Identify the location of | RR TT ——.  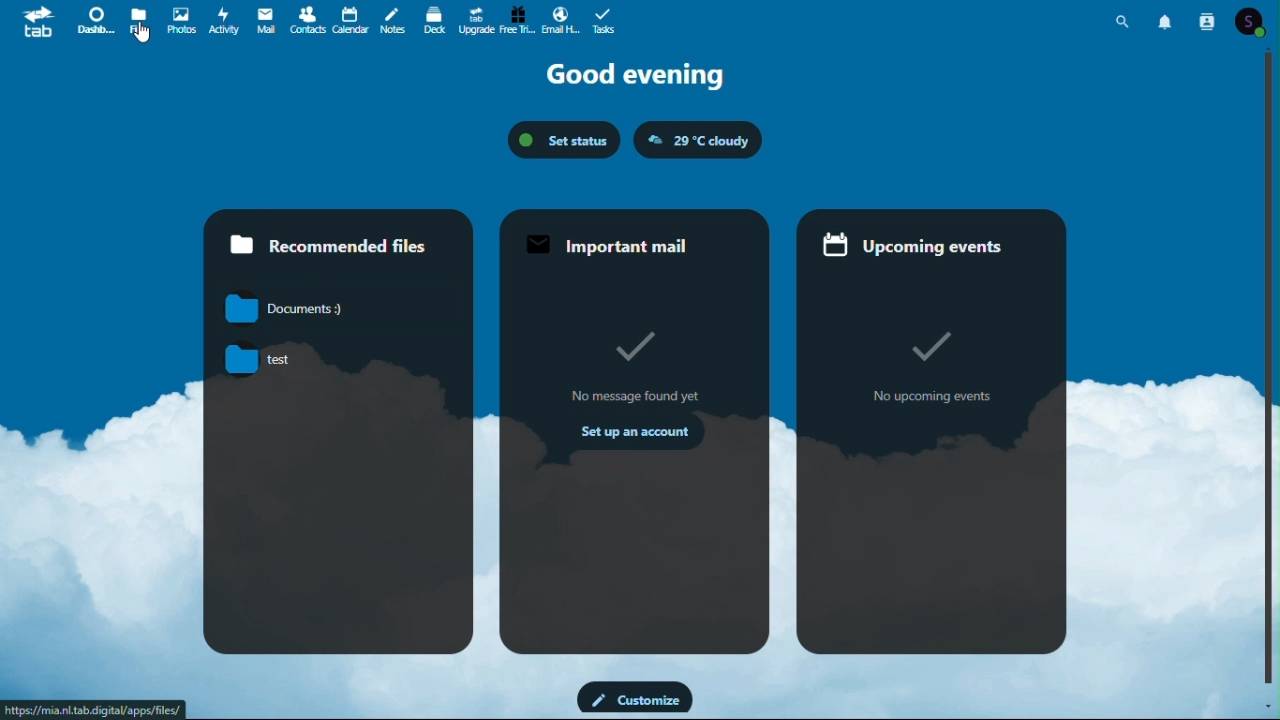
(614, 242).